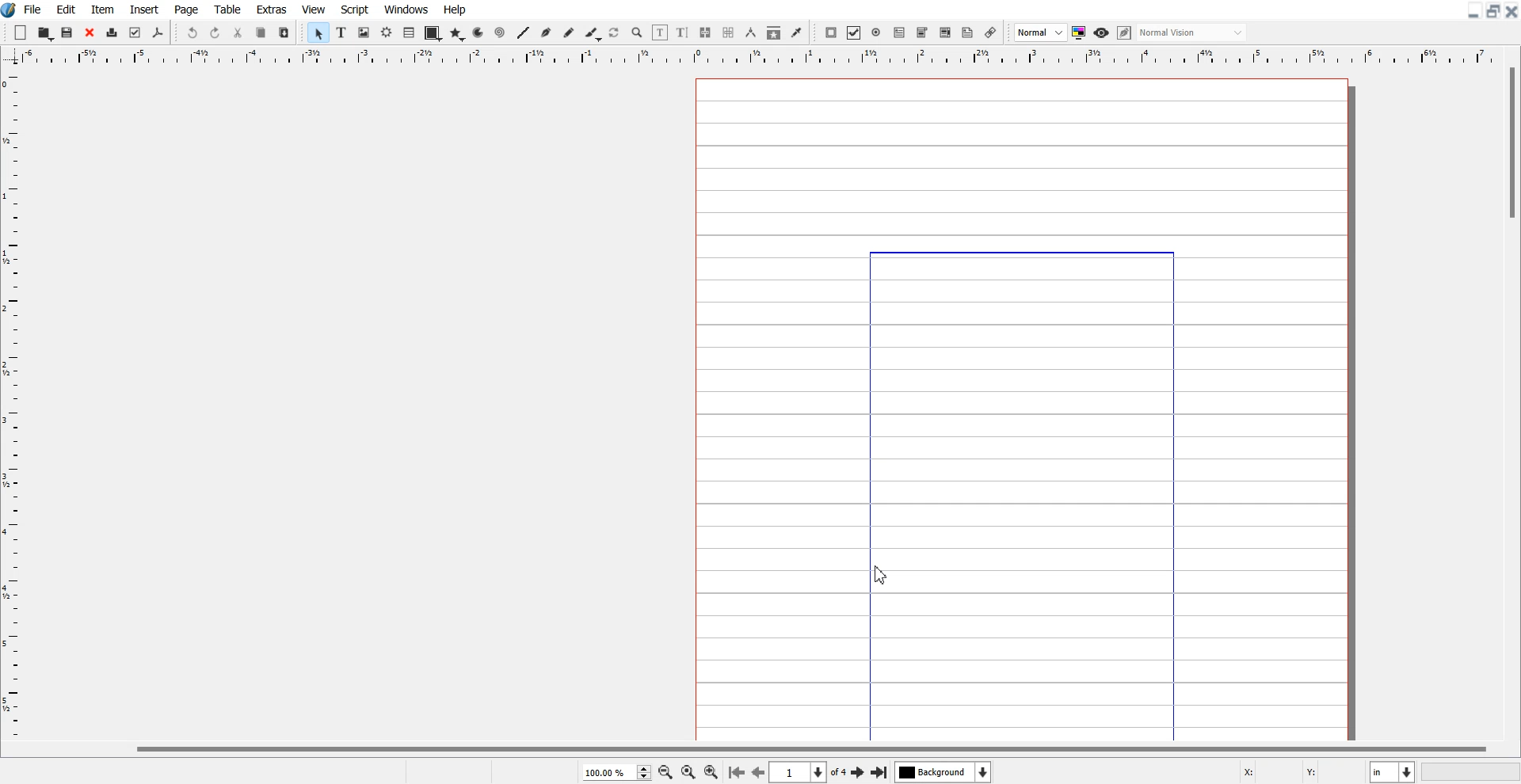 This screenshot has width=1521, height=784. Describe the element at coordinates (1026, 406) in the screenshot. I see `Page` at that location.